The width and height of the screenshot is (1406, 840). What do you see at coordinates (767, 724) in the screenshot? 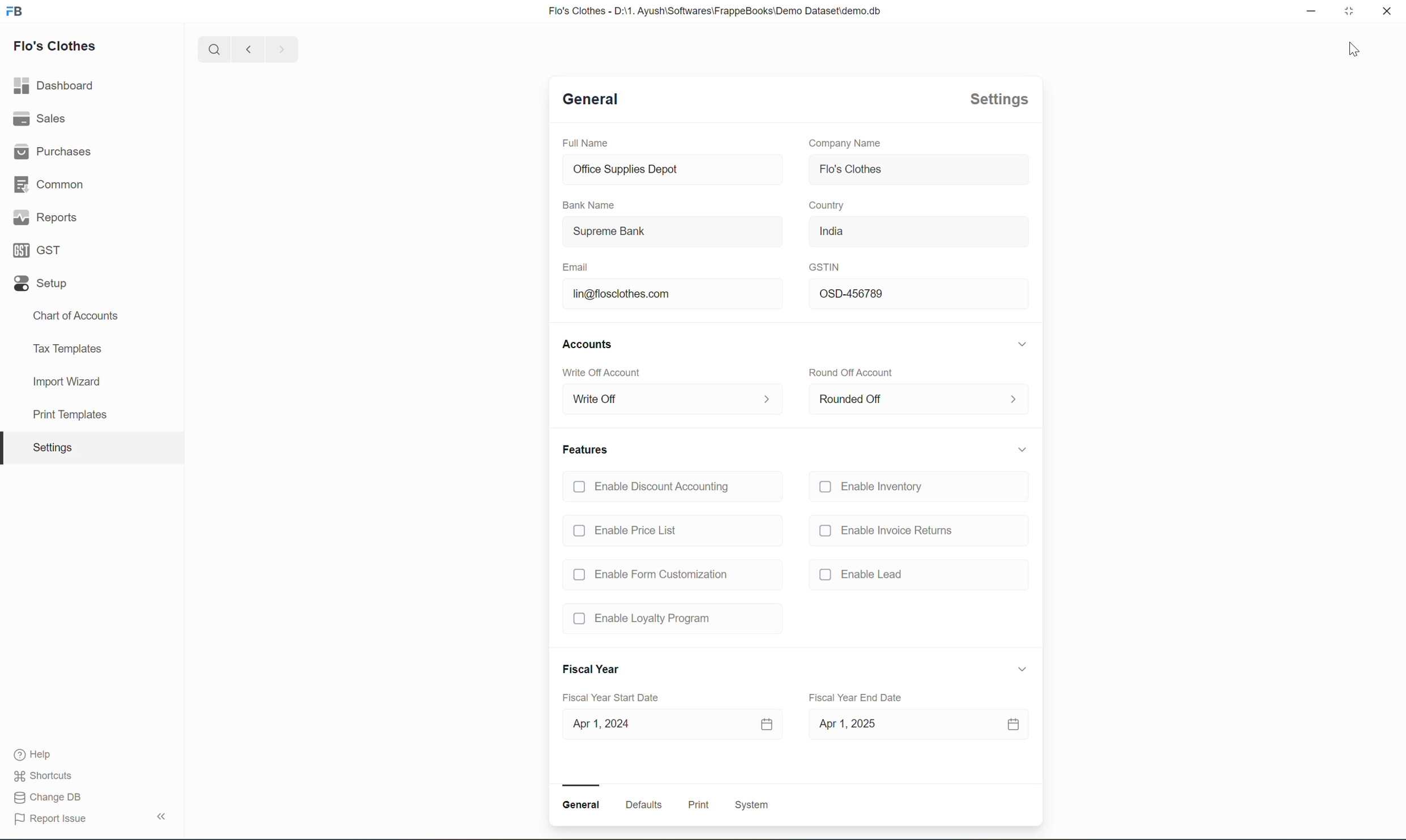
I see `calendar icon` at bounding box center [767, 724].